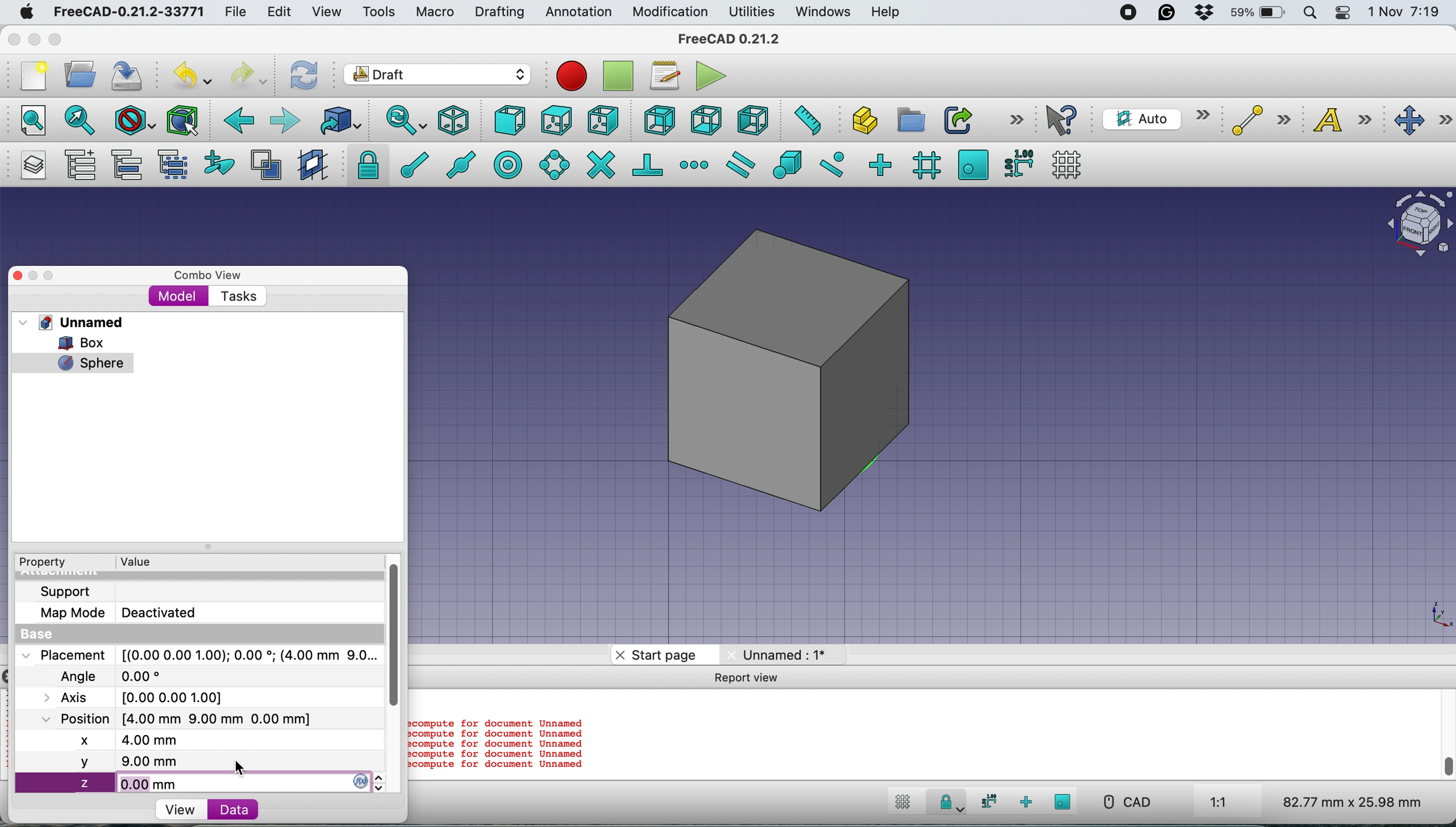  Describe the element at coordinates (752, 120) in the screenshot. I see `left` at that location.